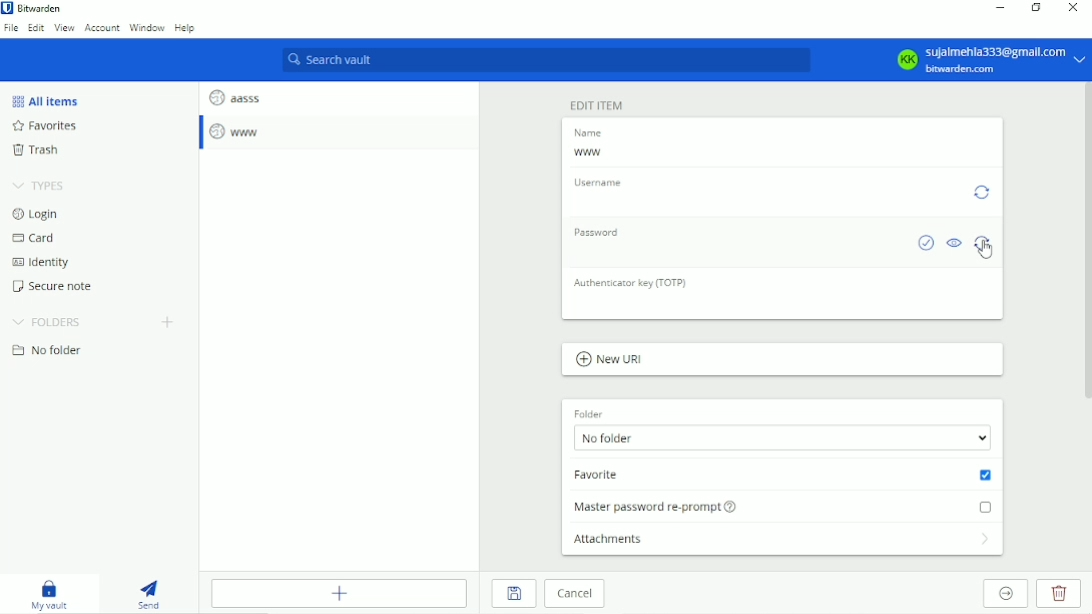  What do you see at coordinates (343, 593) in the screenshot?
I see `Add item` at bounding box center [343, 593].